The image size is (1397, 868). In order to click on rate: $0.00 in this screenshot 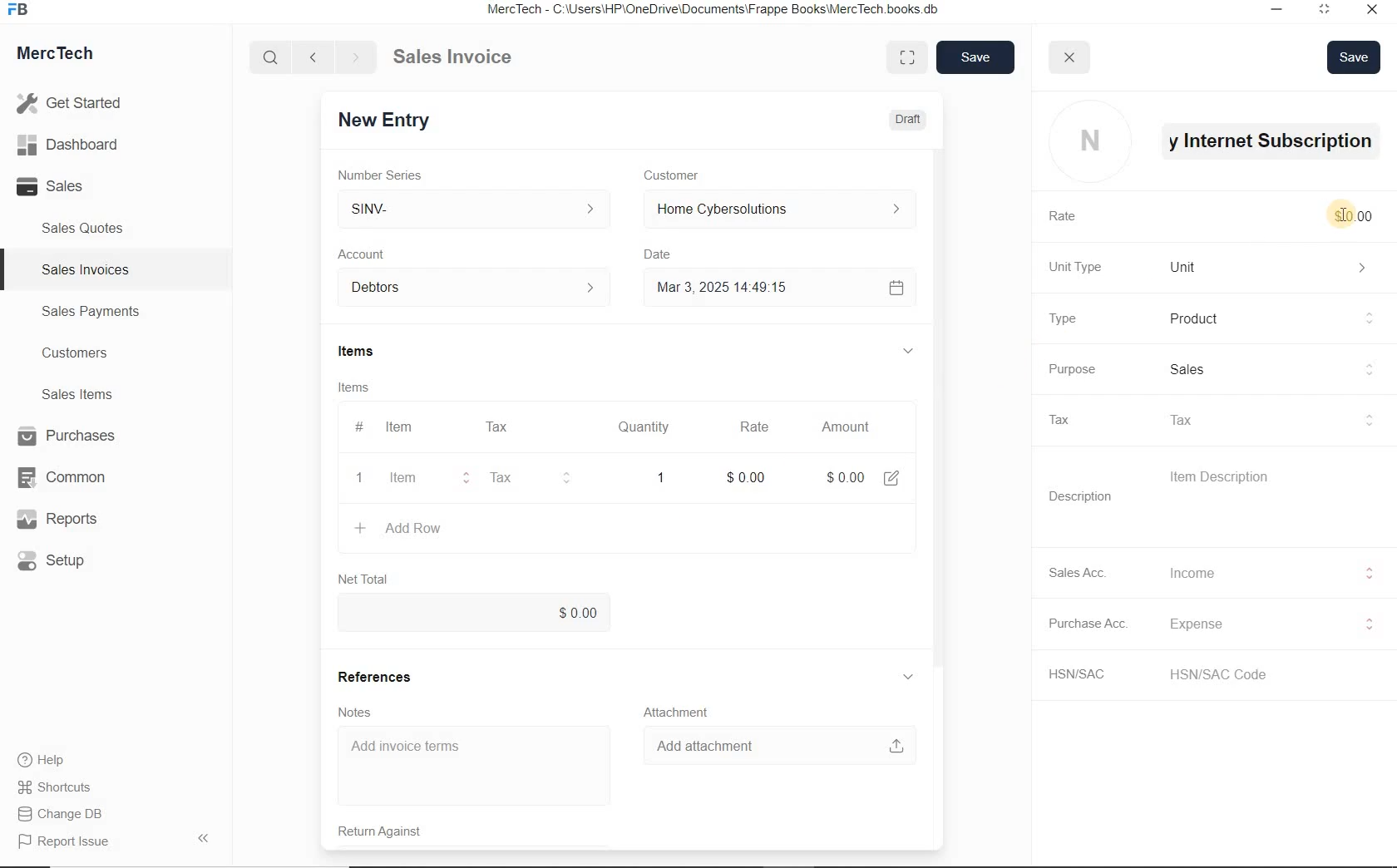, I will do `click(745, 476)`.